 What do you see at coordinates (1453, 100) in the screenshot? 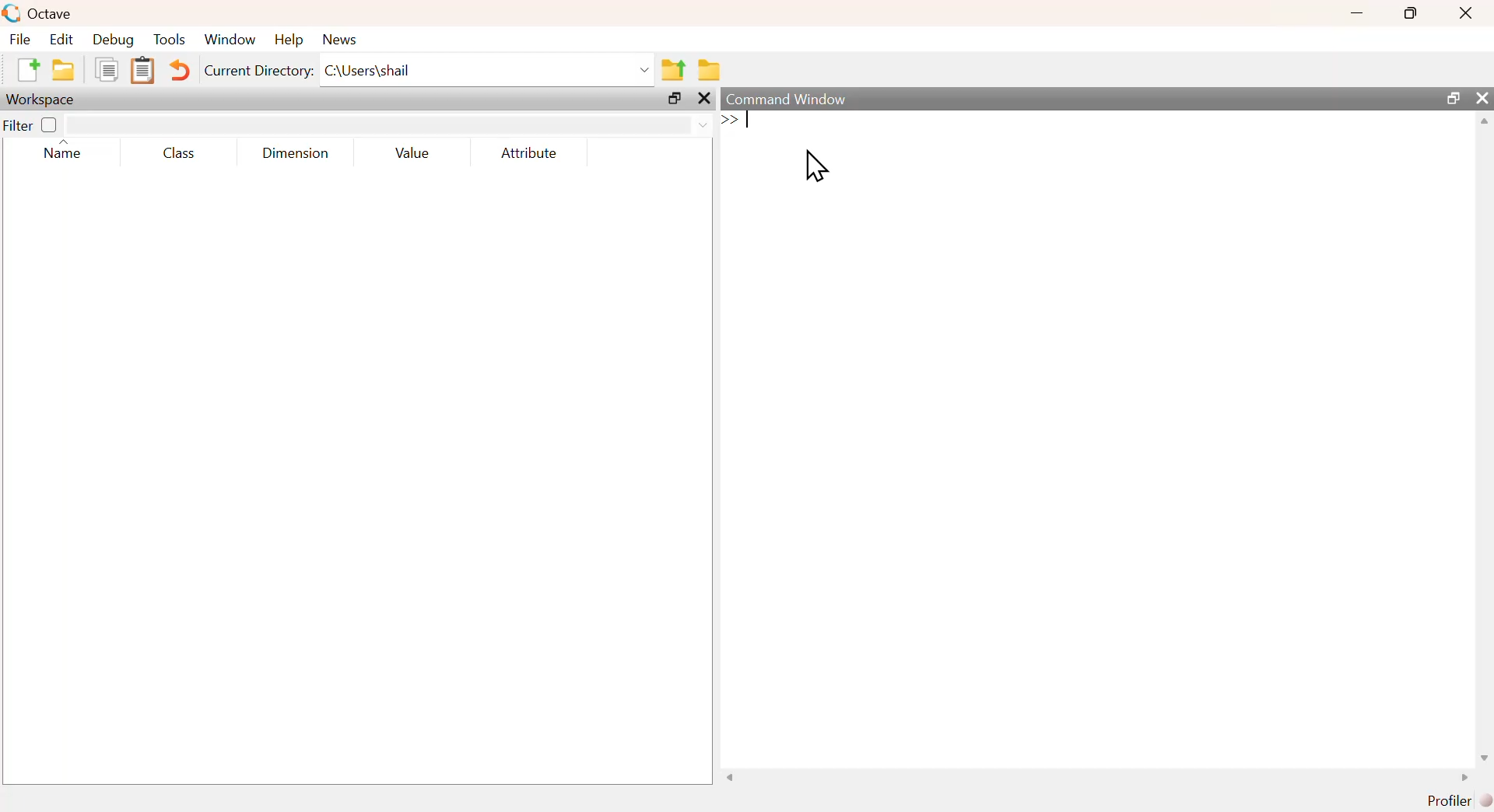
I see `maximize` at bounding box center [1453, 100].